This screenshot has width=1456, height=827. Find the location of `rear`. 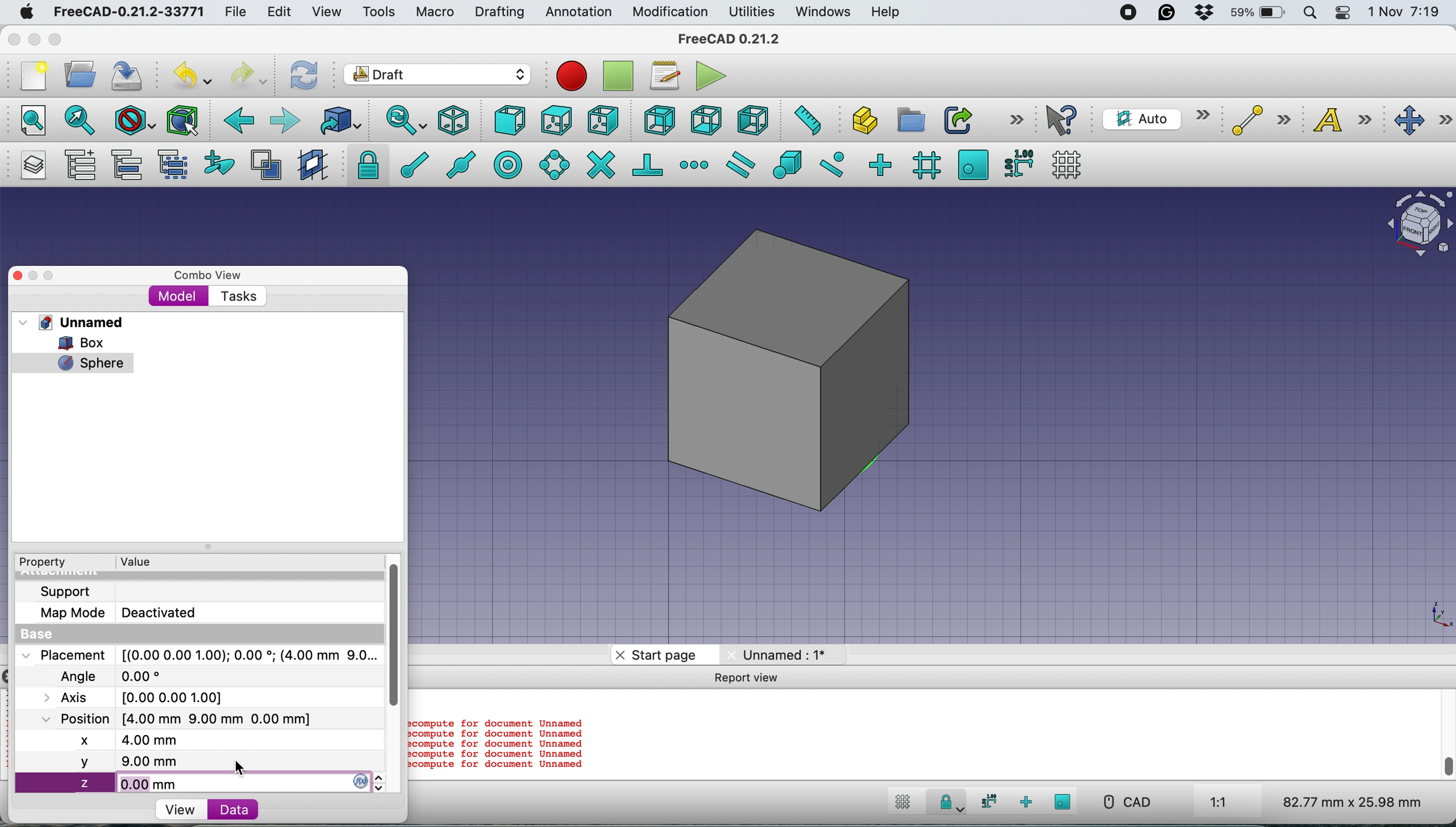

rear is located at coordinates (658, 120).